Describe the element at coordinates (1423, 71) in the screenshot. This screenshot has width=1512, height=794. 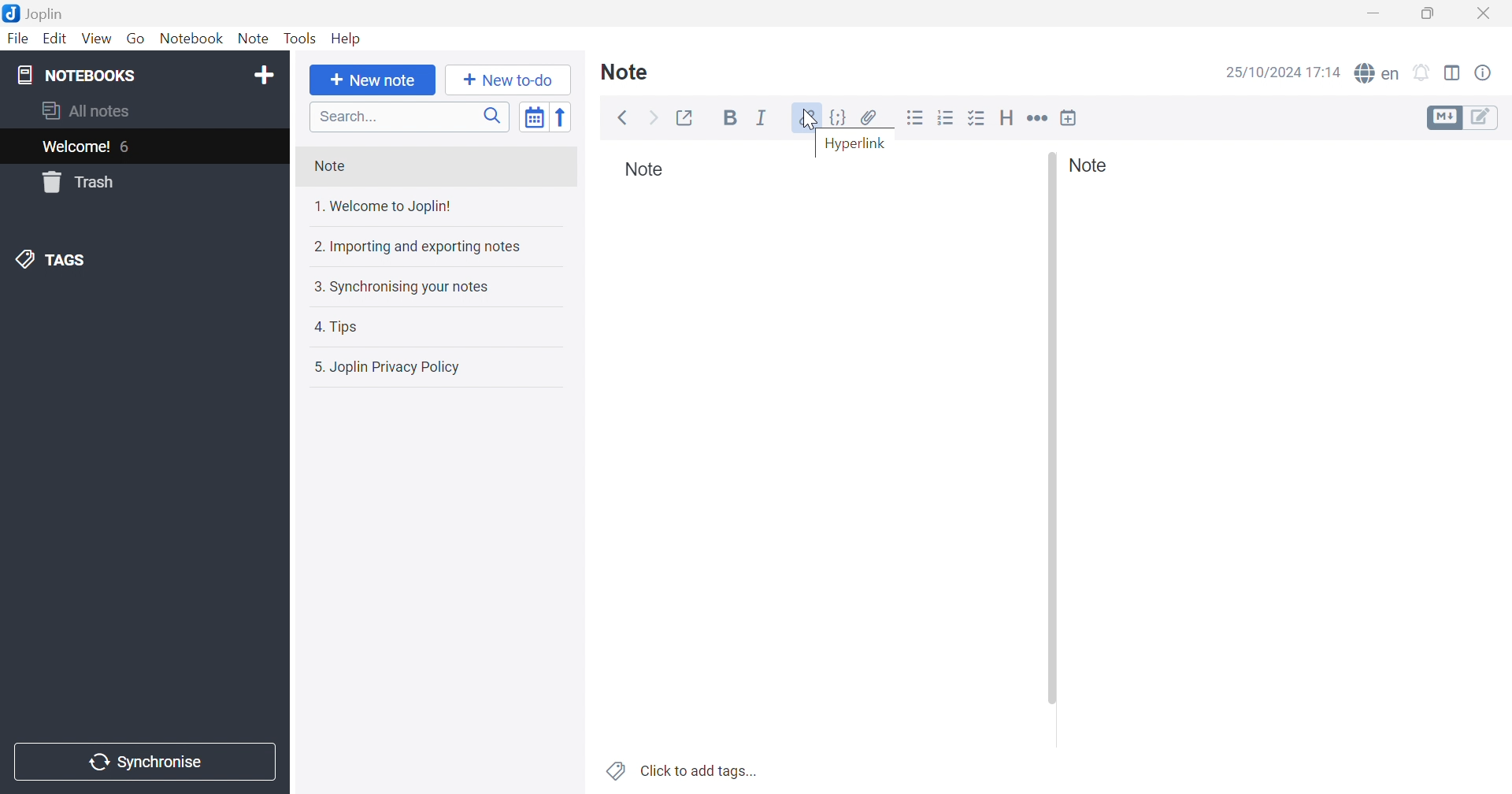
I see `Set alarm` at that location.